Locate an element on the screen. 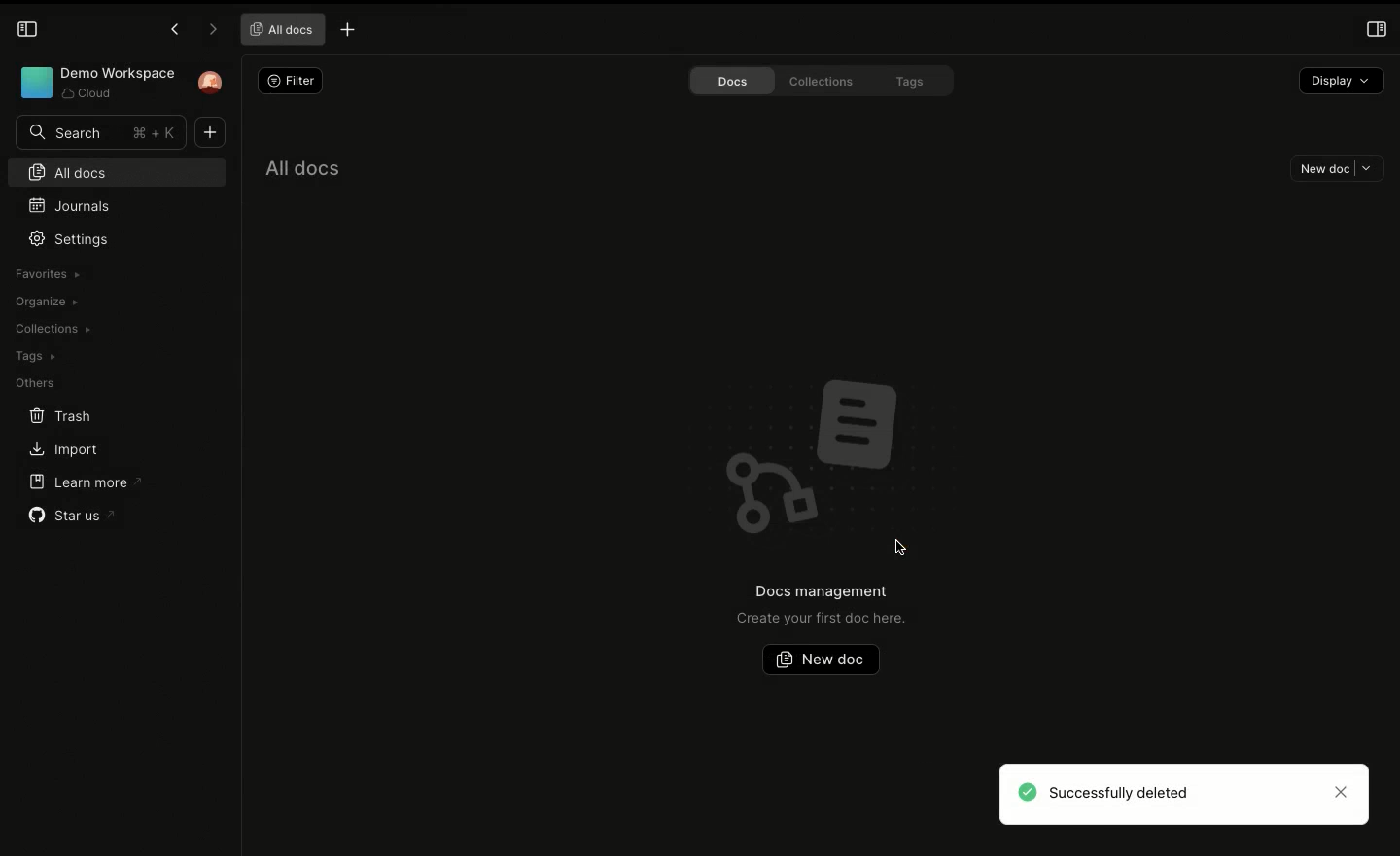 This screenshot has height=856, width=1400. All docs is located at coordinates (302, 163).